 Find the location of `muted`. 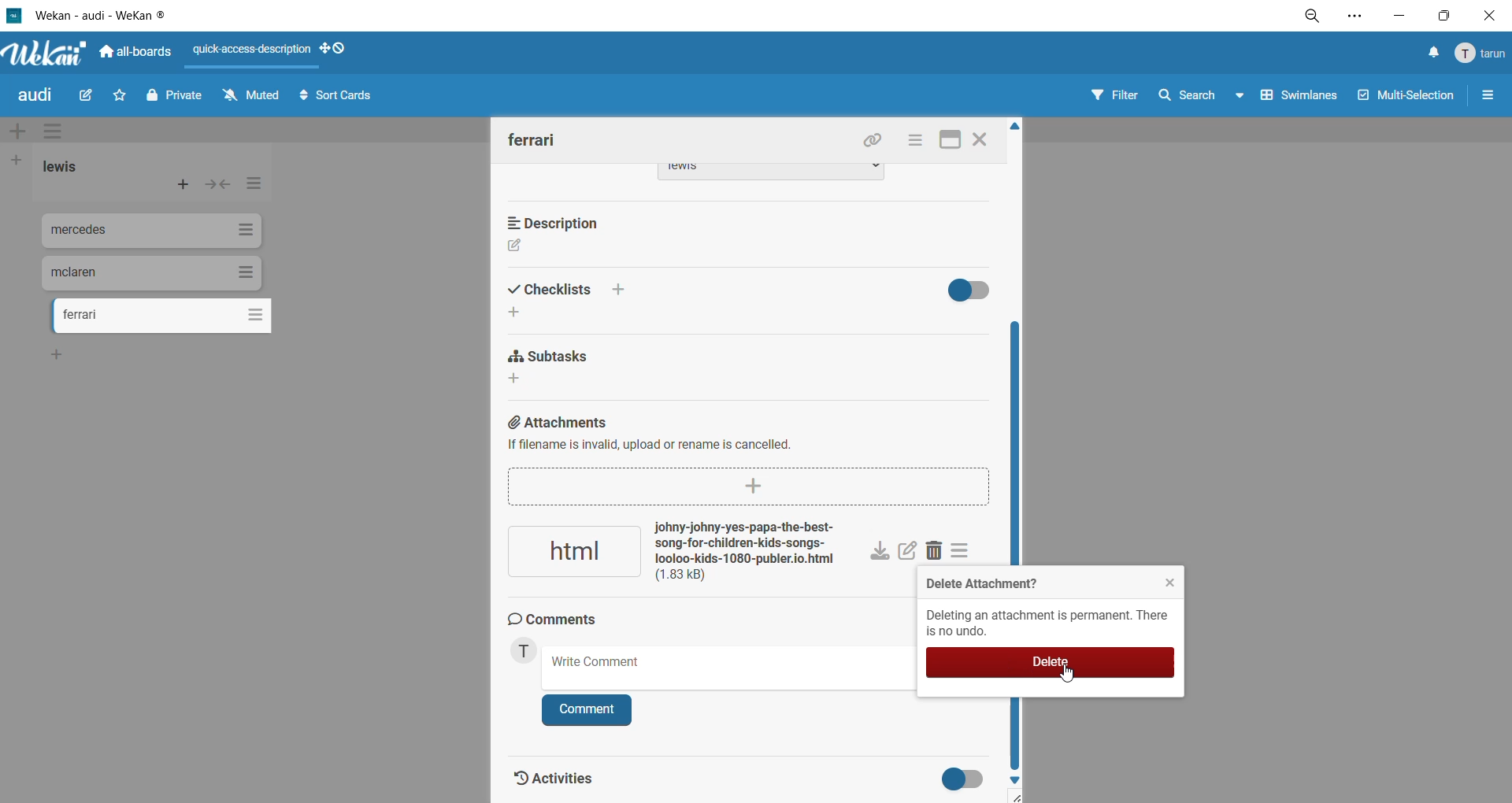

muted is located at coordinates (251, 94).